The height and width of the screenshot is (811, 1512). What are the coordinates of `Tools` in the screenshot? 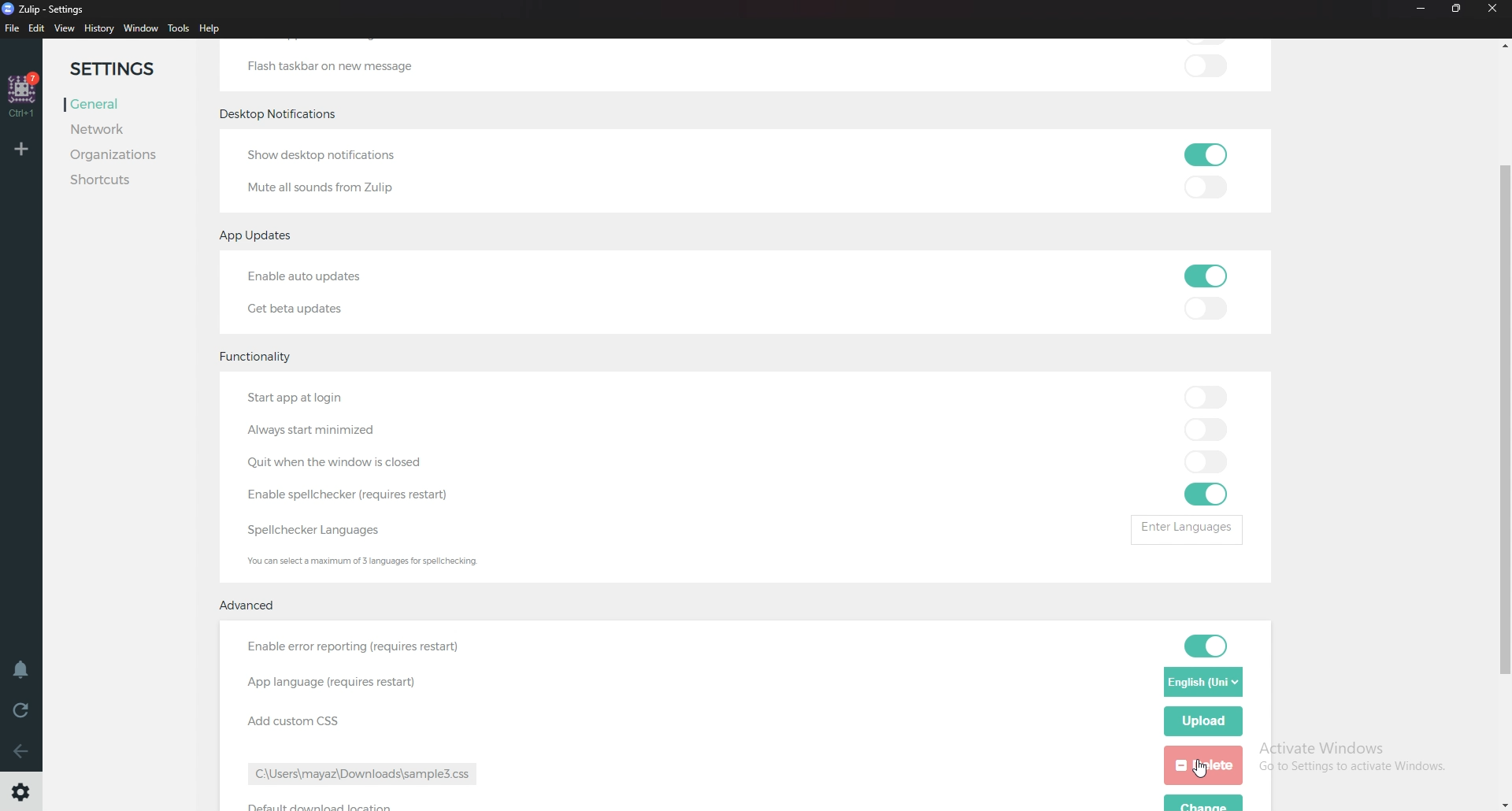 It's located at (179, 28).